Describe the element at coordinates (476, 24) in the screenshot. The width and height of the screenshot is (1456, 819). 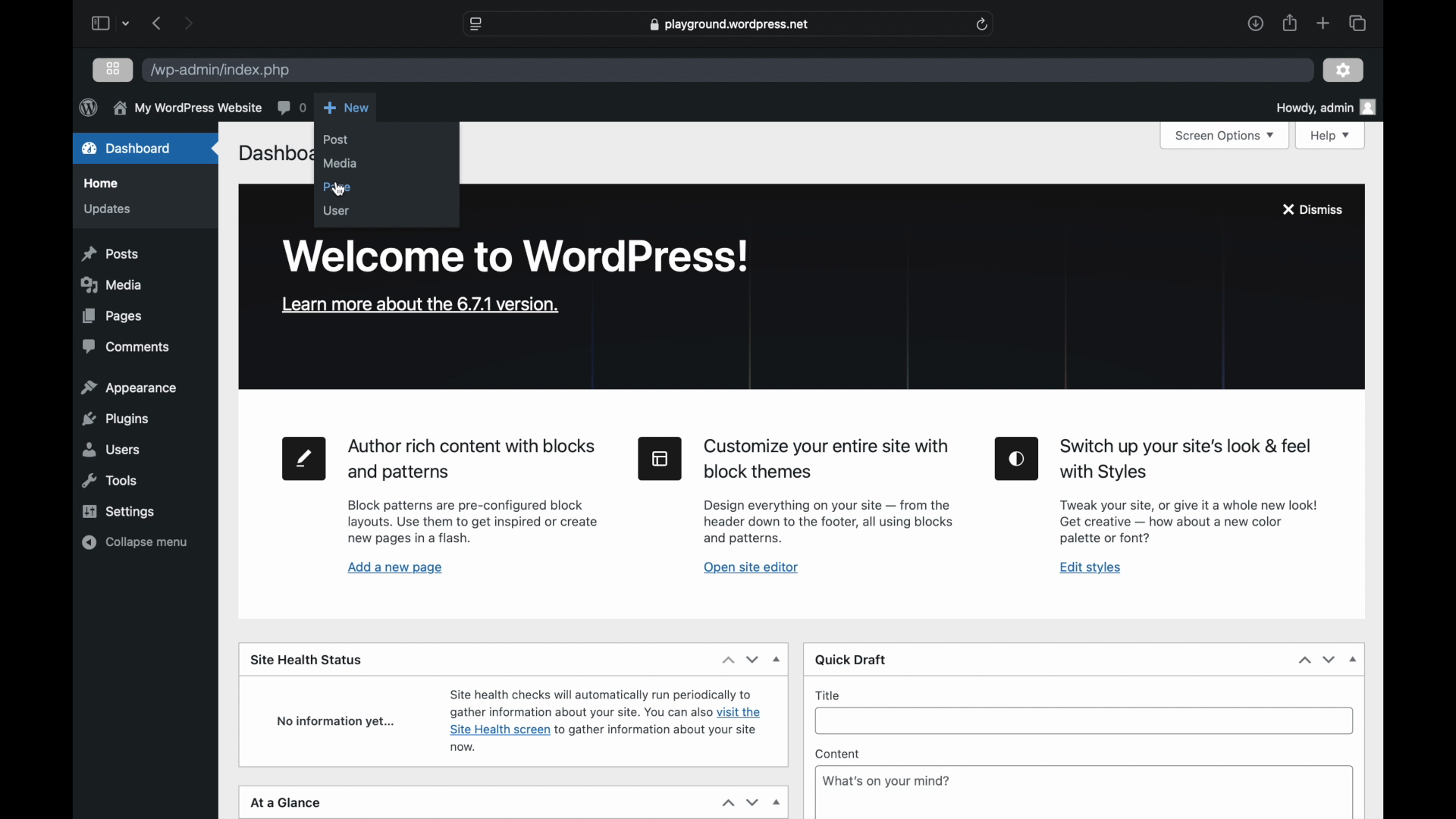
I see `website settings` at that location.